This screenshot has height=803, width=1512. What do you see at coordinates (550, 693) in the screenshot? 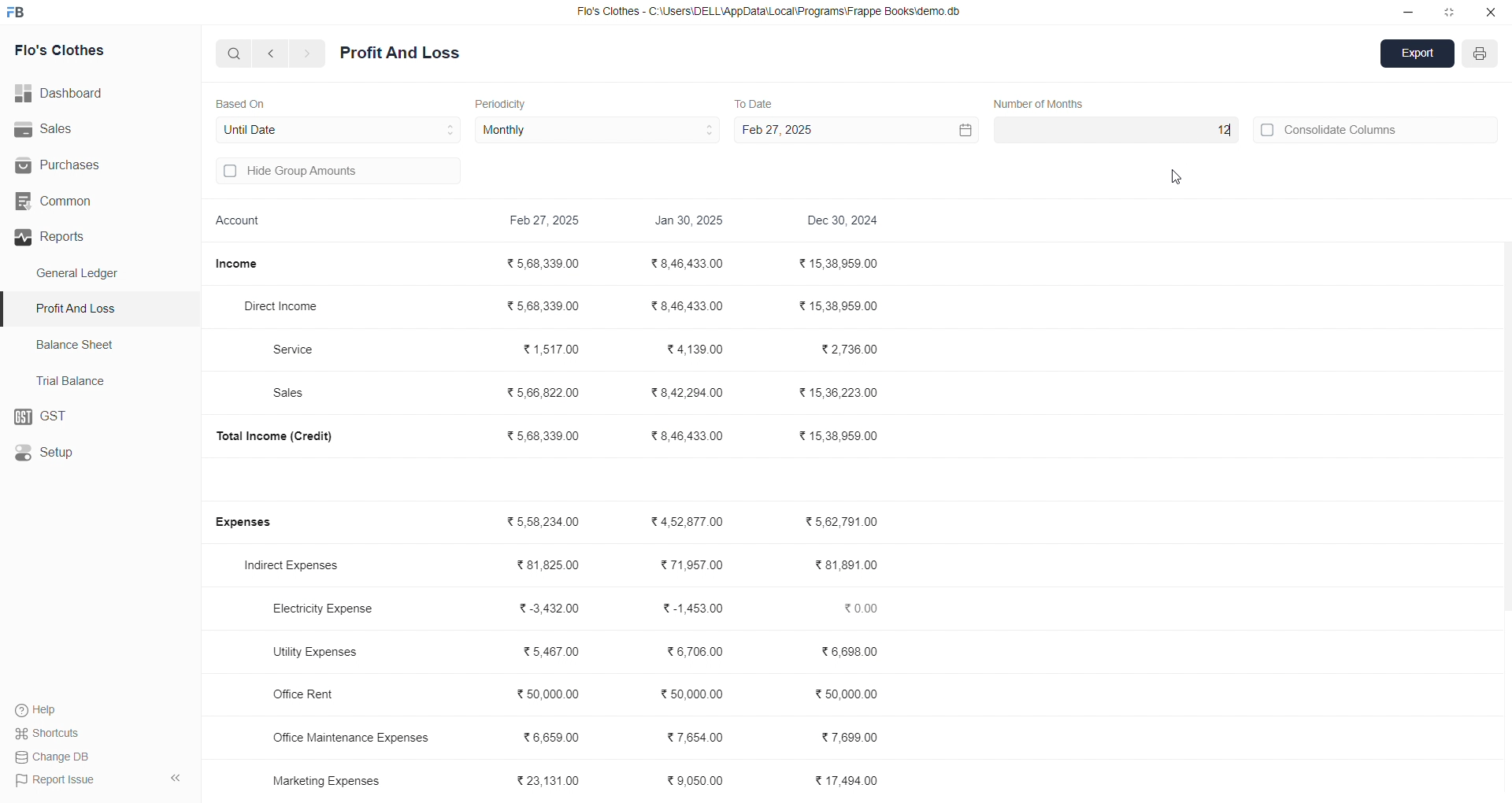
I see `₹50,000.00` at bounding box center [550, 693].